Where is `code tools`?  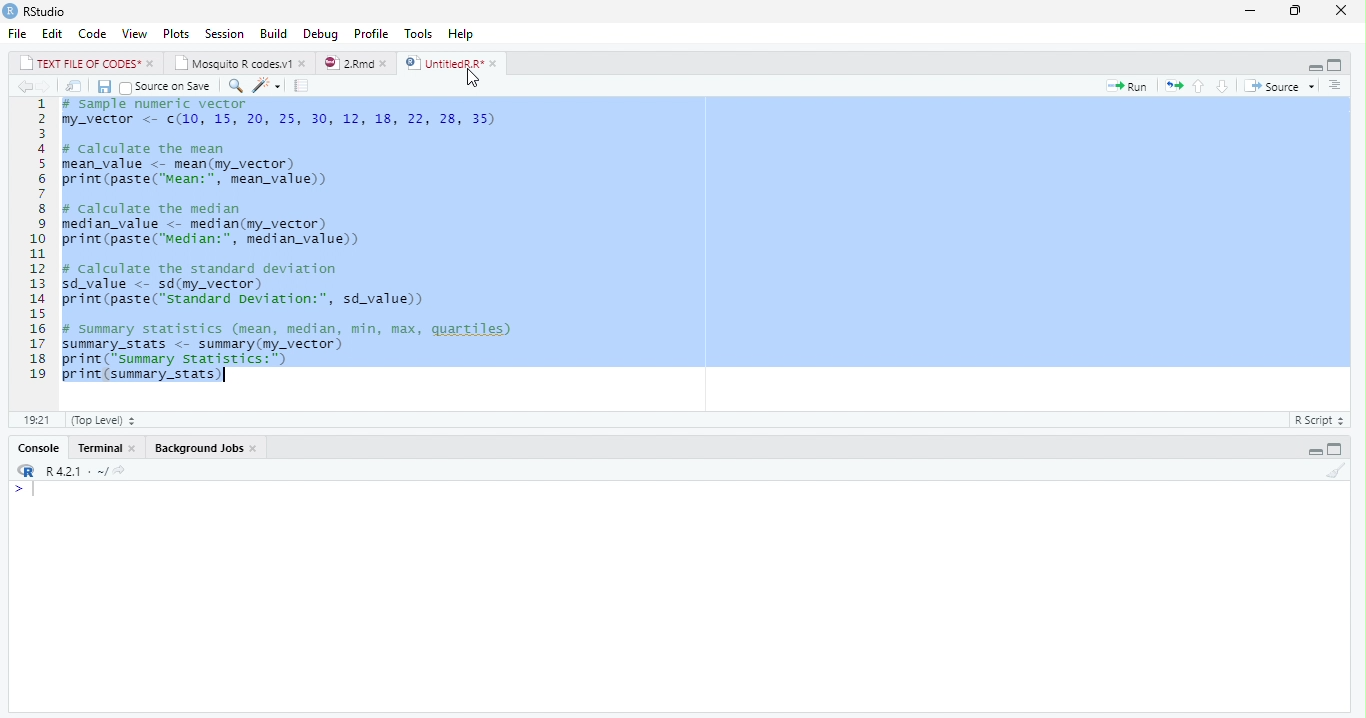
code tools is located at coordinates (266, 85).